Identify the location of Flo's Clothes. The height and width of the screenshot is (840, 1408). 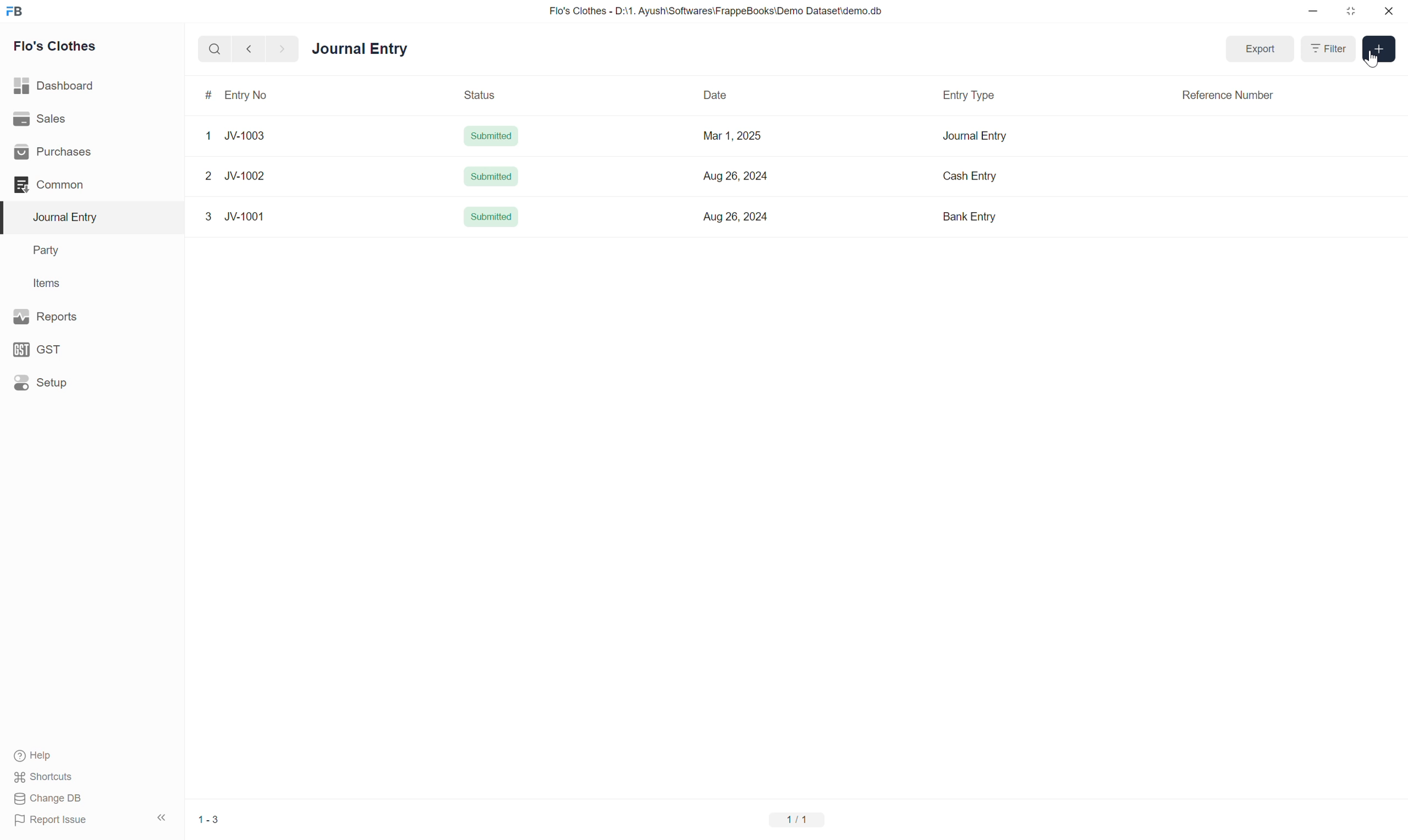
(57, 46).